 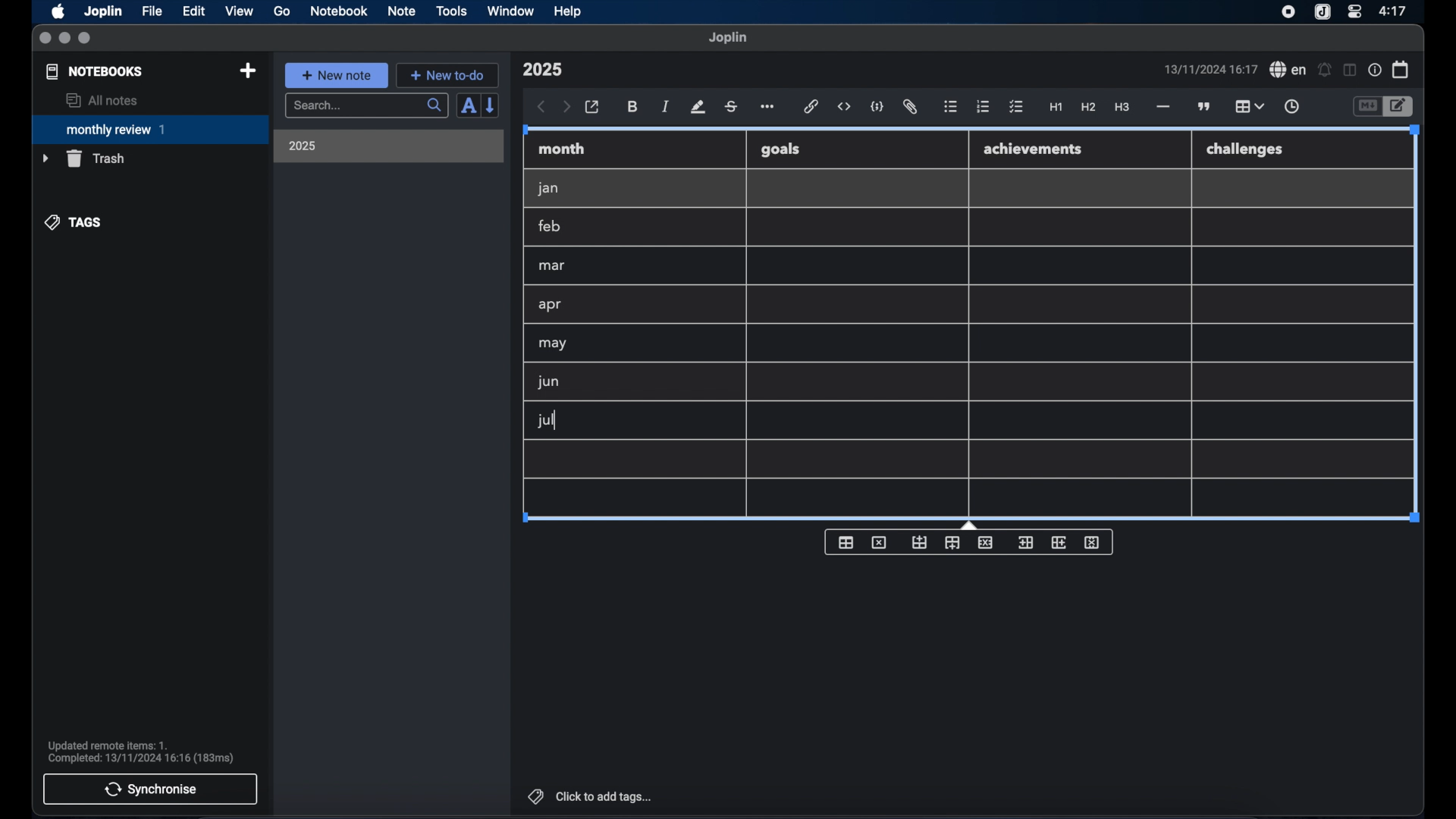 I want to click on bulleted list, so click(x=950, y=107).